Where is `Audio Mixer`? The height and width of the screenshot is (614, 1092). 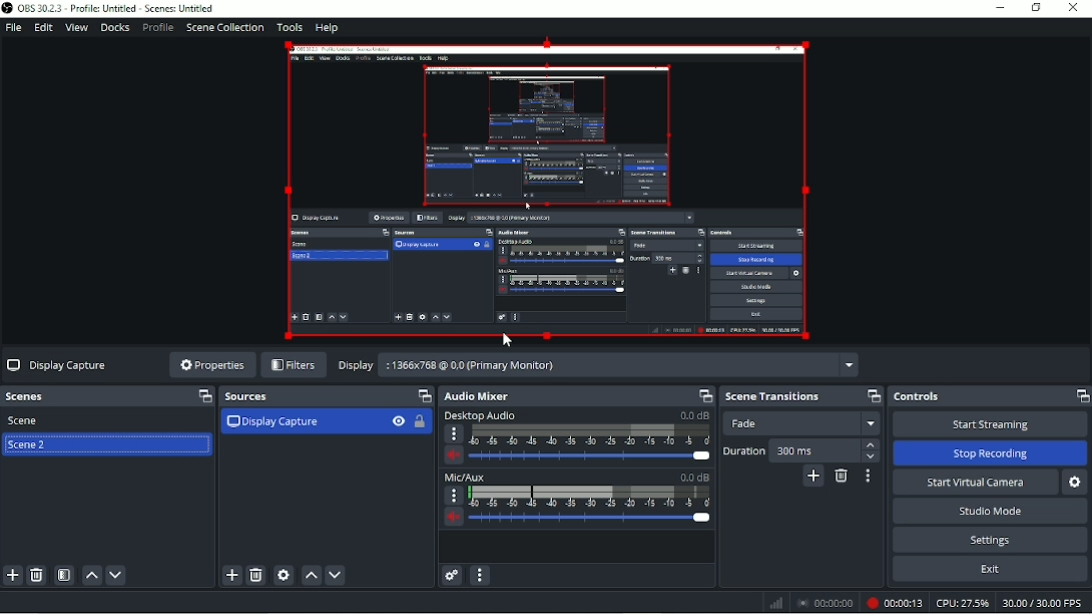
Audio Mixer is located at coordinates (477, 397).